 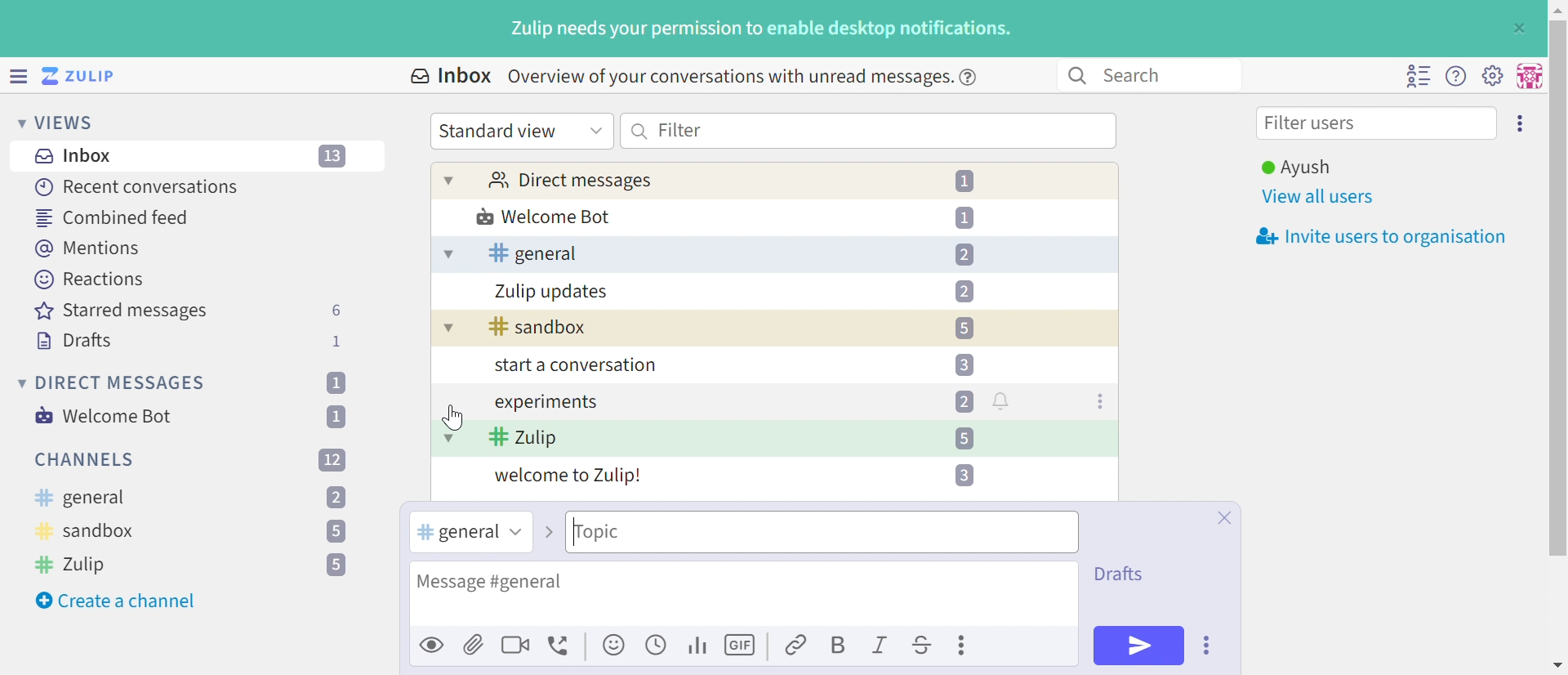 What do you see at coordinates (138, 186) in the screenshot?
I see `Recent conversations` at bounding box center [138, 186].